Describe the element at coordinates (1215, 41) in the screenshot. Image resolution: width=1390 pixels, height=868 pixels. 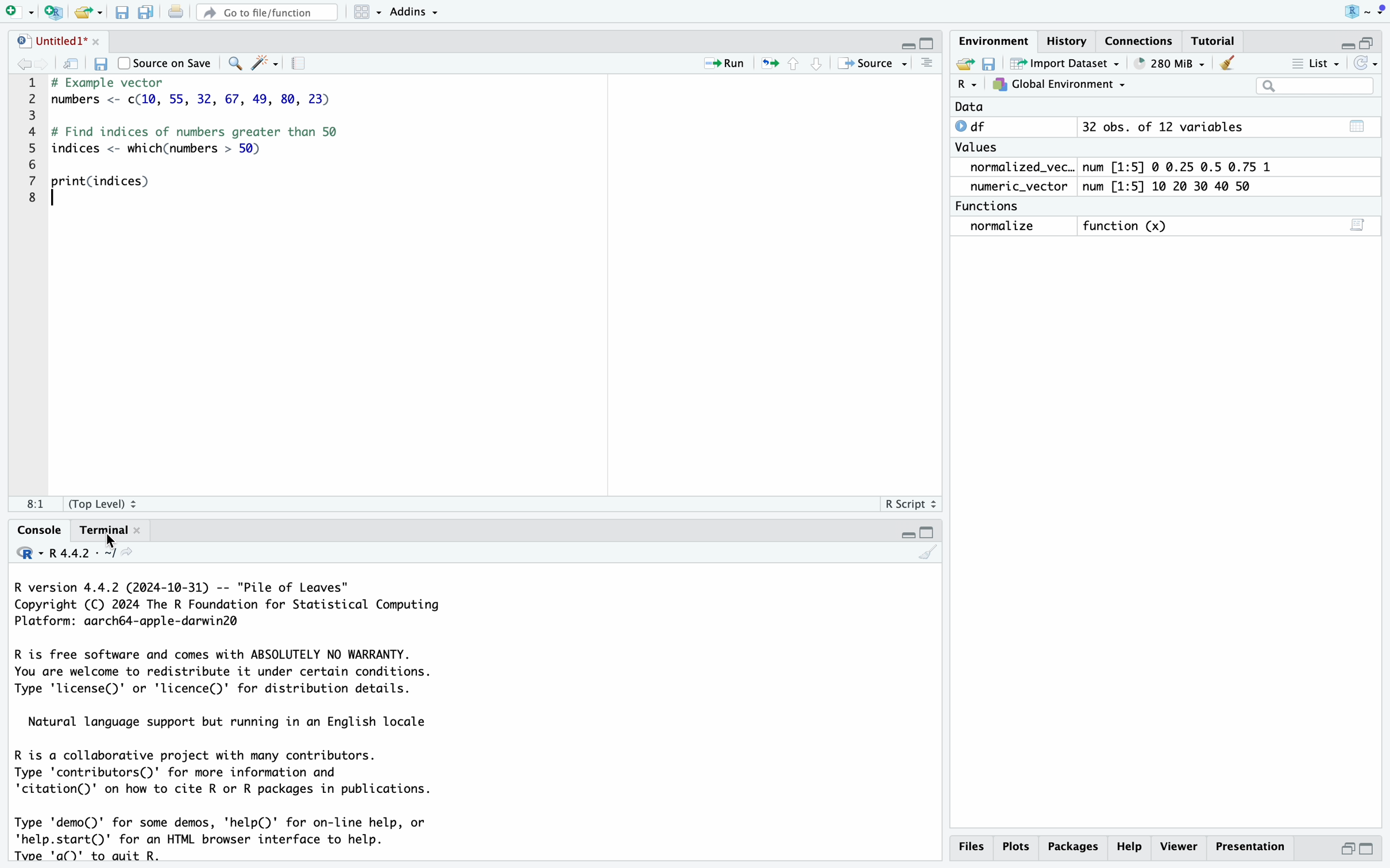
I see `Tutorial` at that location.